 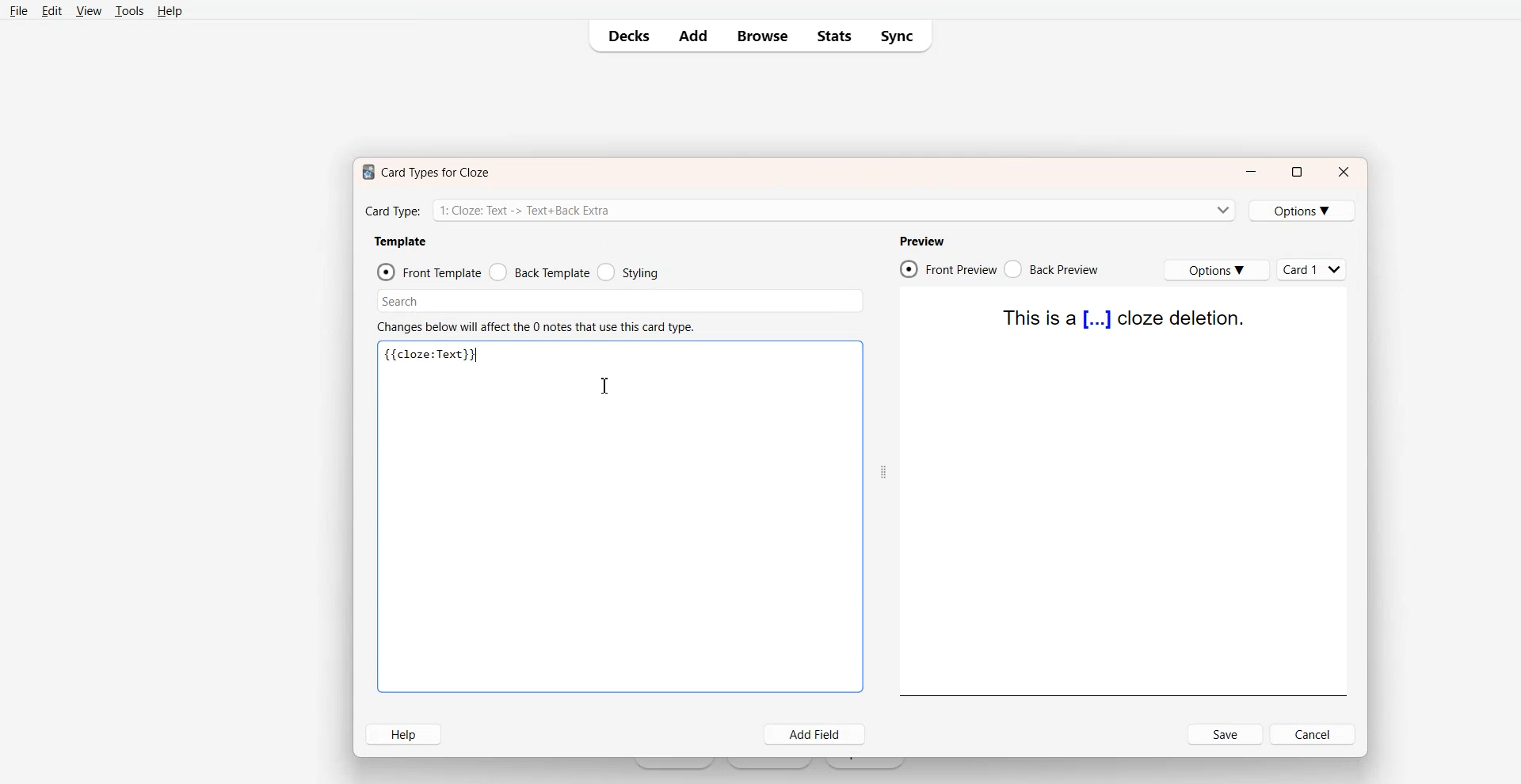 I want to click on Template, so click(x=400, y=242).